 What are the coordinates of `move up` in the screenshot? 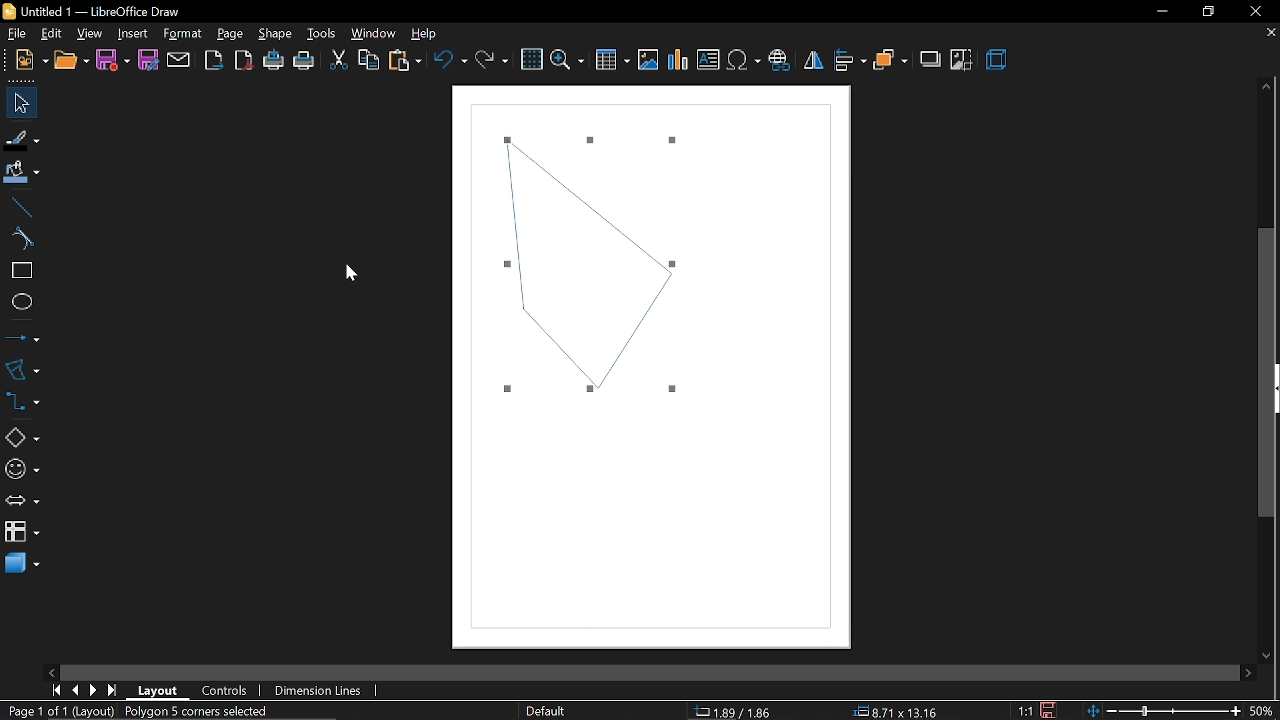 It's located at (1267, 87).